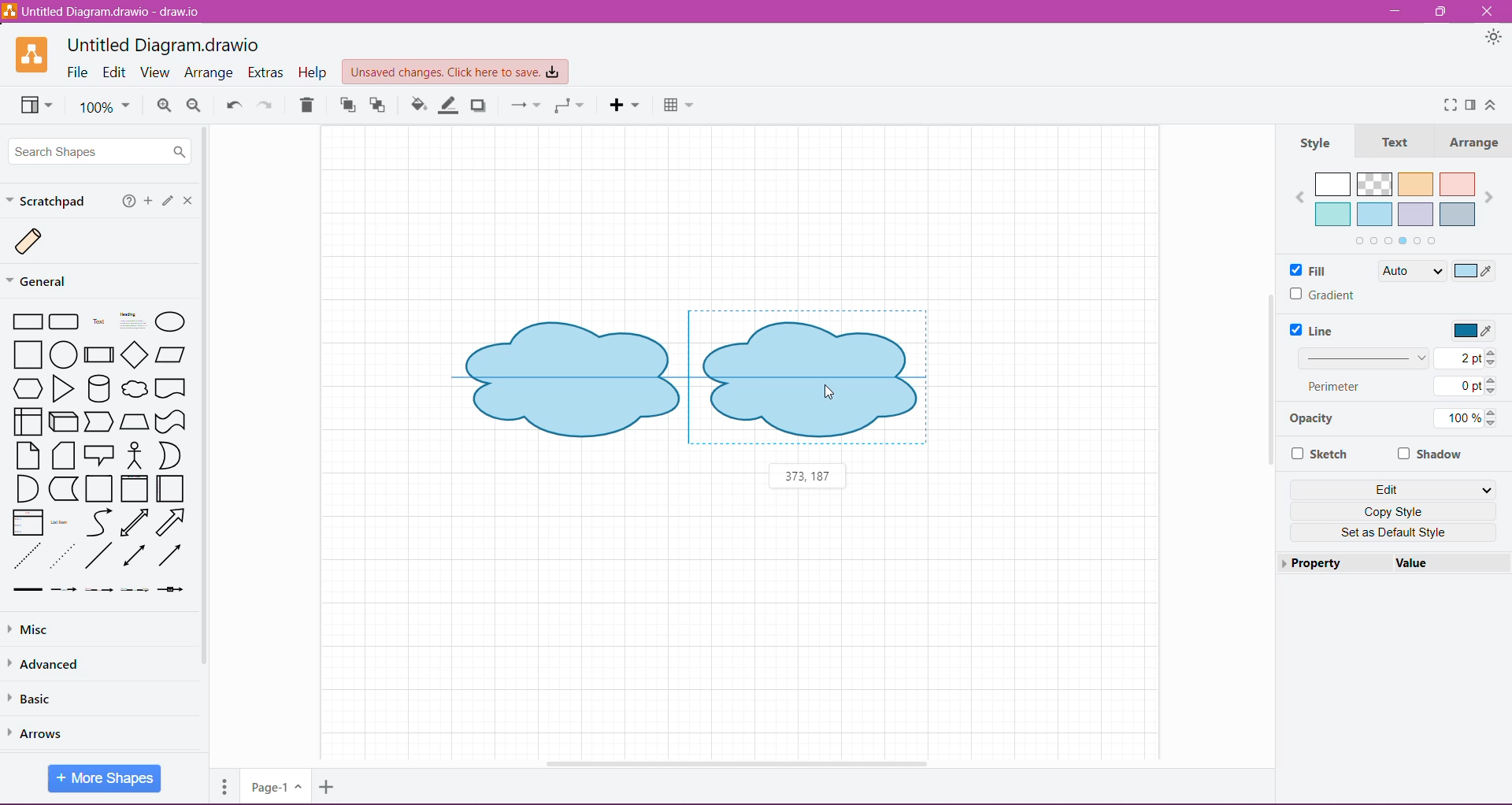  What do you see at coordinates (1325, 295) in the screenshot?
I see `Gradient` at bounding box center [1325, 295].